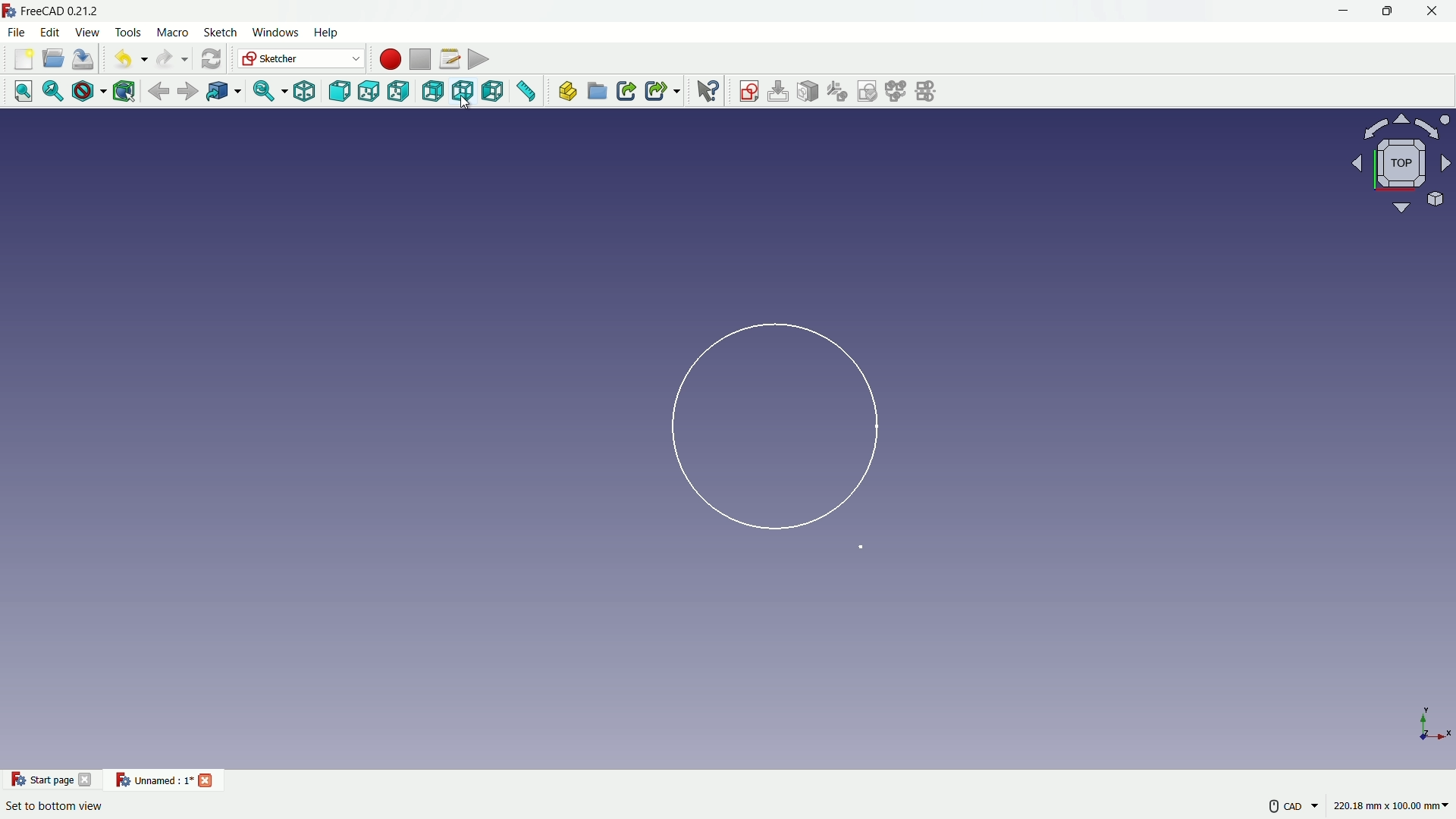 The height and width of the screenshot is (819, 1456). Describe the element at coordinates (398, 92) in the screenshot. I see `right view` at that location.